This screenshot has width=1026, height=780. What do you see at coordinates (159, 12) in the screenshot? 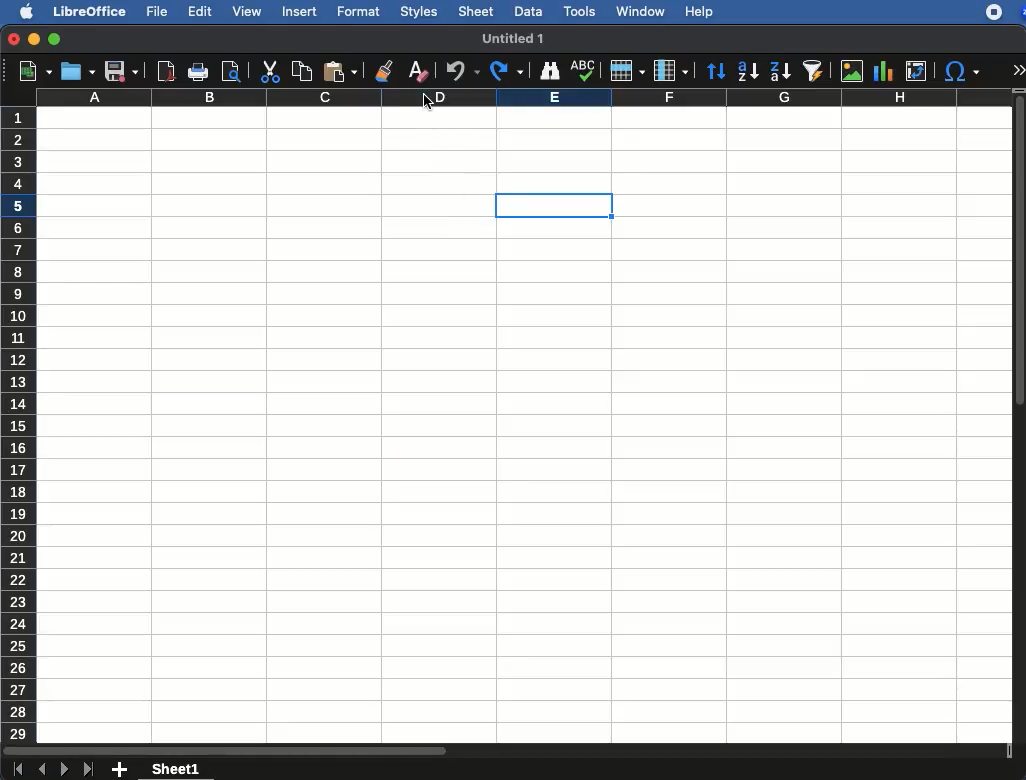
I see `file` at bounding box center [159, 12].